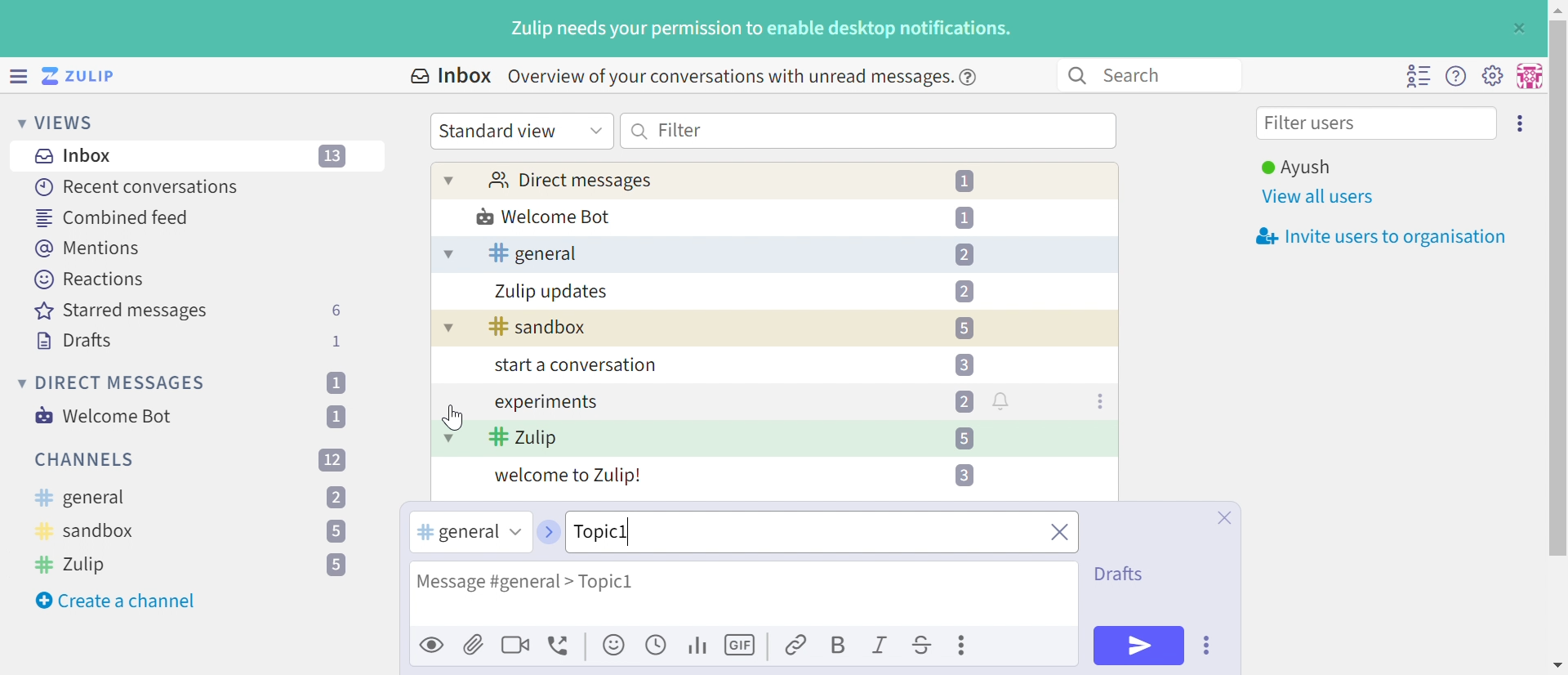 This screenshot has width=1568, height=675. I want to click on Close, so click(1517, 29).